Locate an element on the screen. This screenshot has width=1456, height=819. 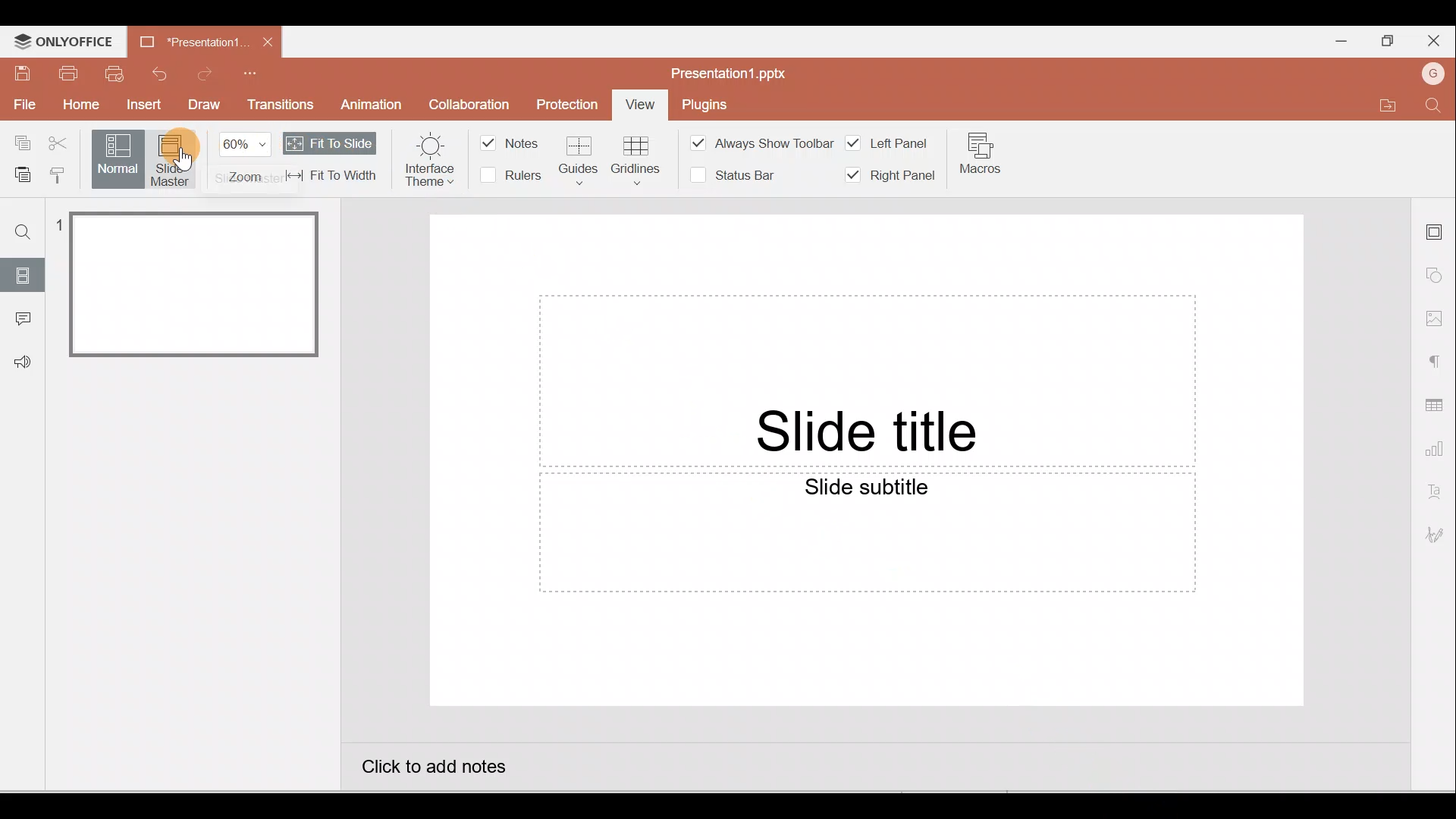
Quick print is located at coordinates (115, 73).